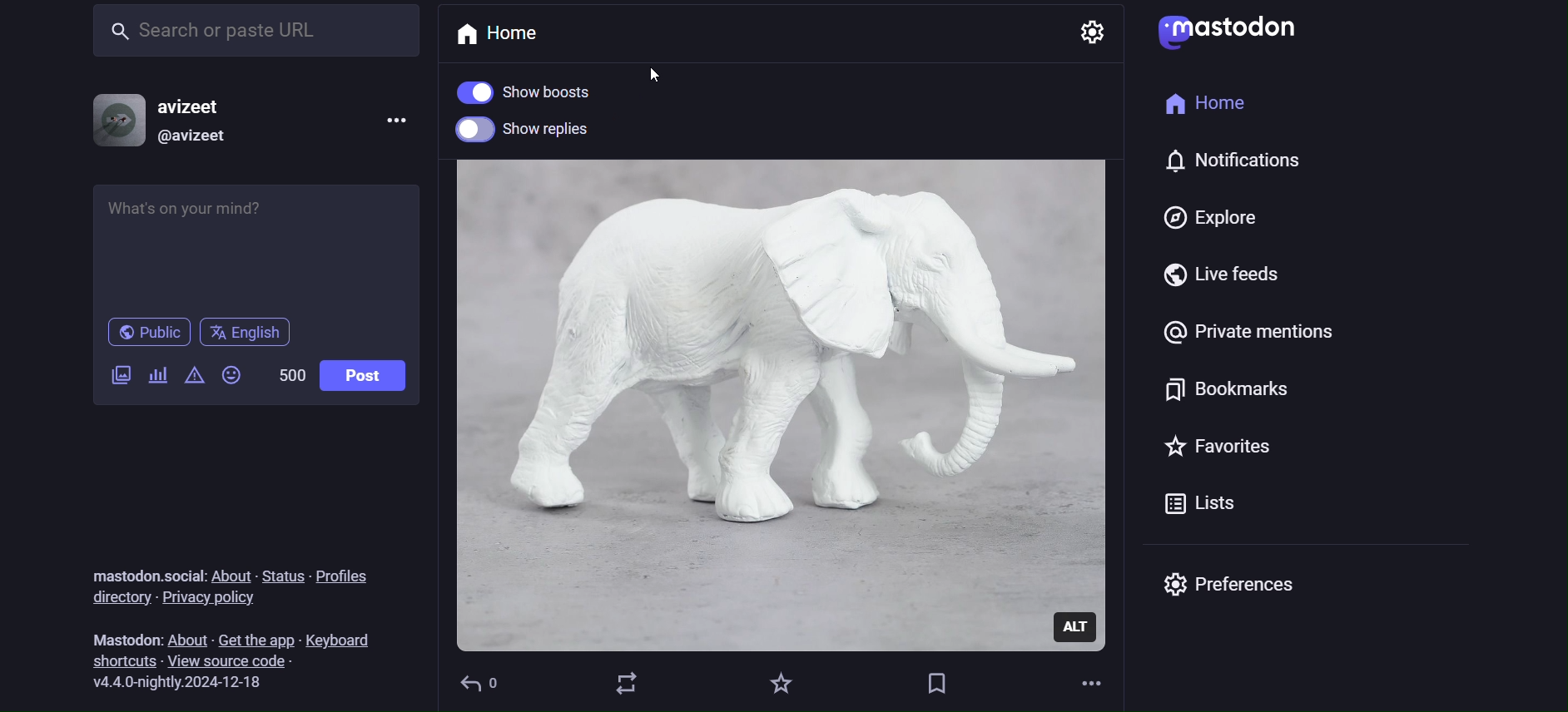 The width and height of the screenshot is (1568, 712). I want to click on status, so click(284, 571).